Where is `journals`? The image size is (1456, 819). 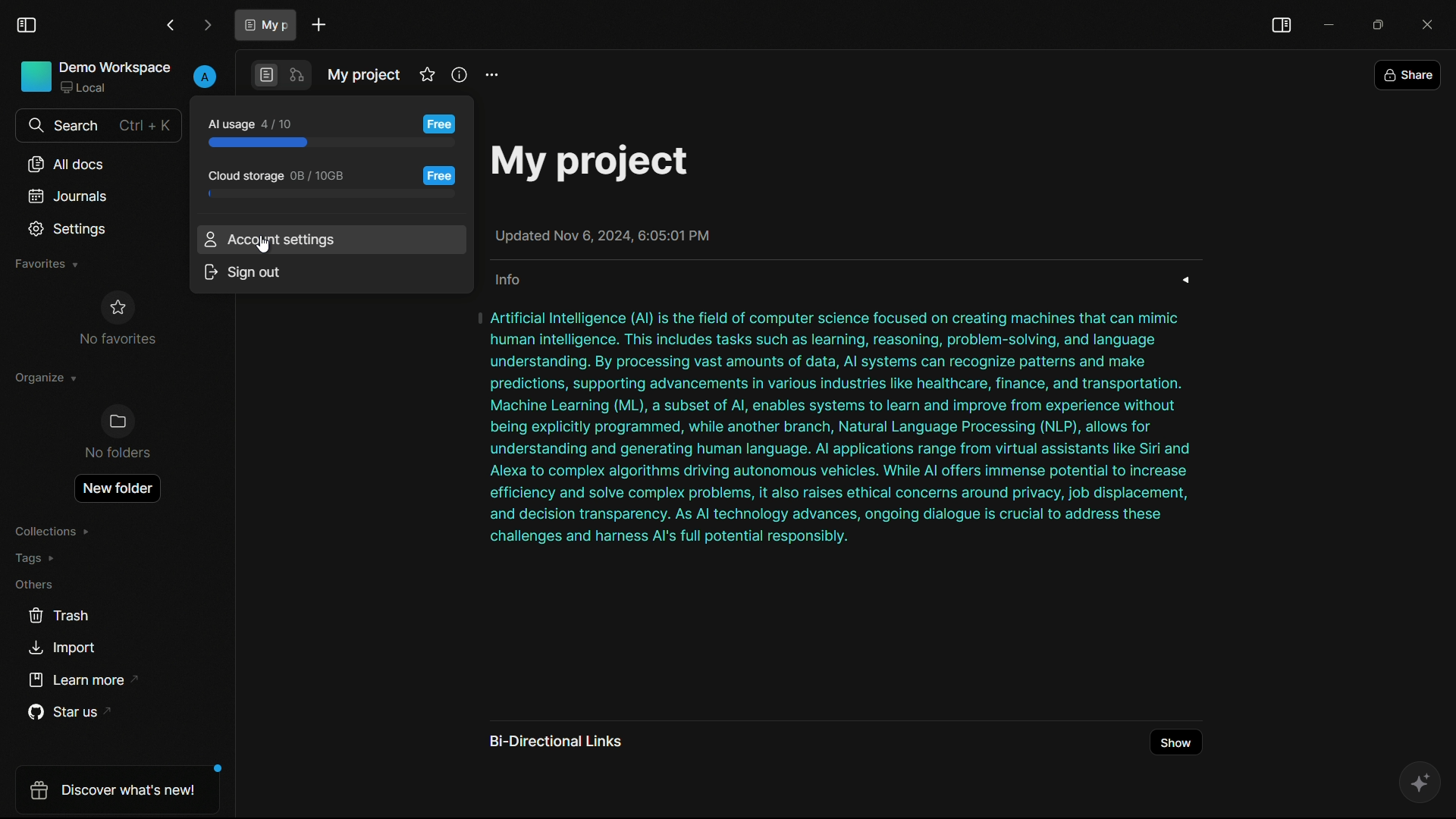
journals is located at coordinates (69, 196).